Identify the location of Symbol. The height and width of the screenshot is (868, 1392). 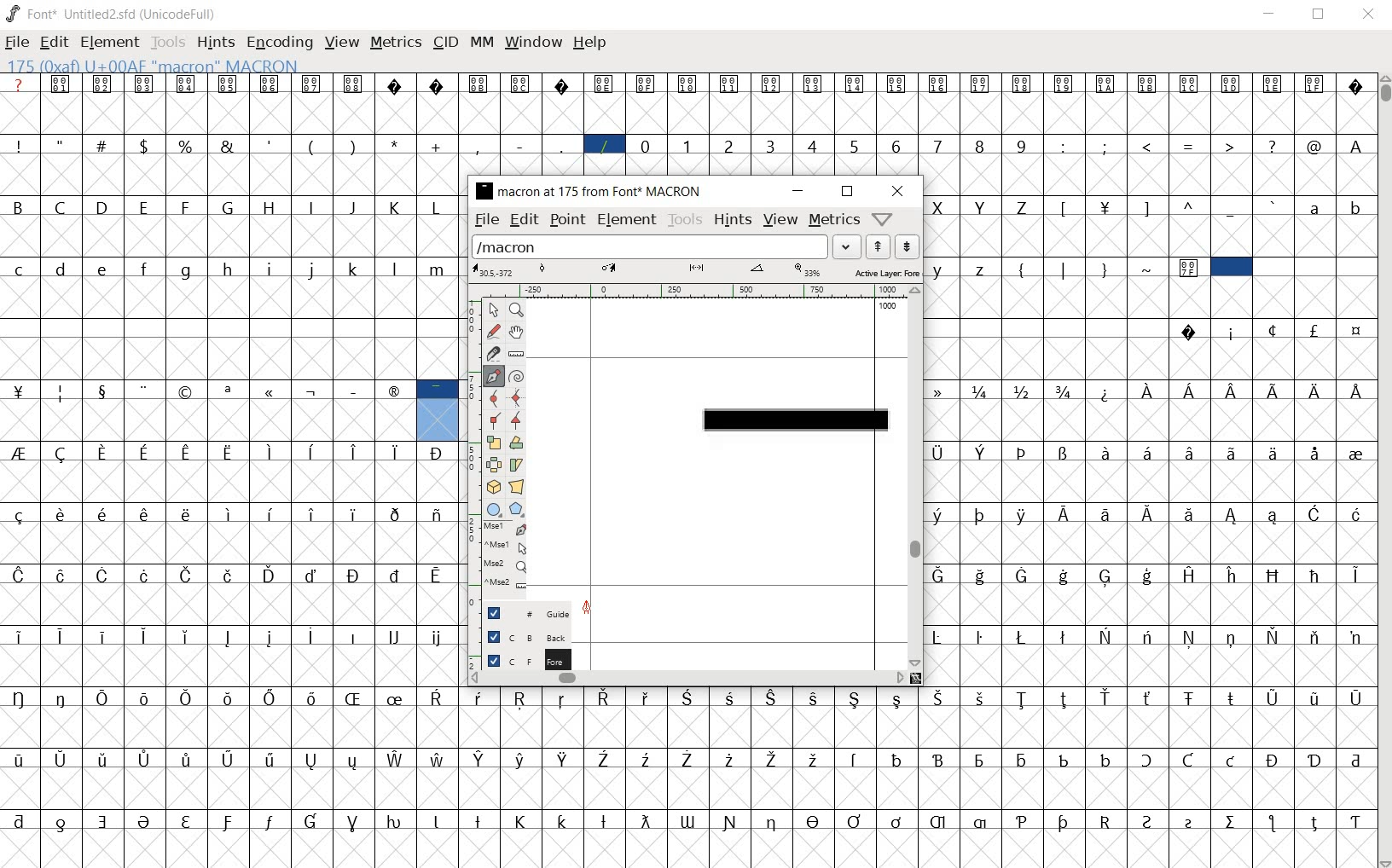
(353, 391).